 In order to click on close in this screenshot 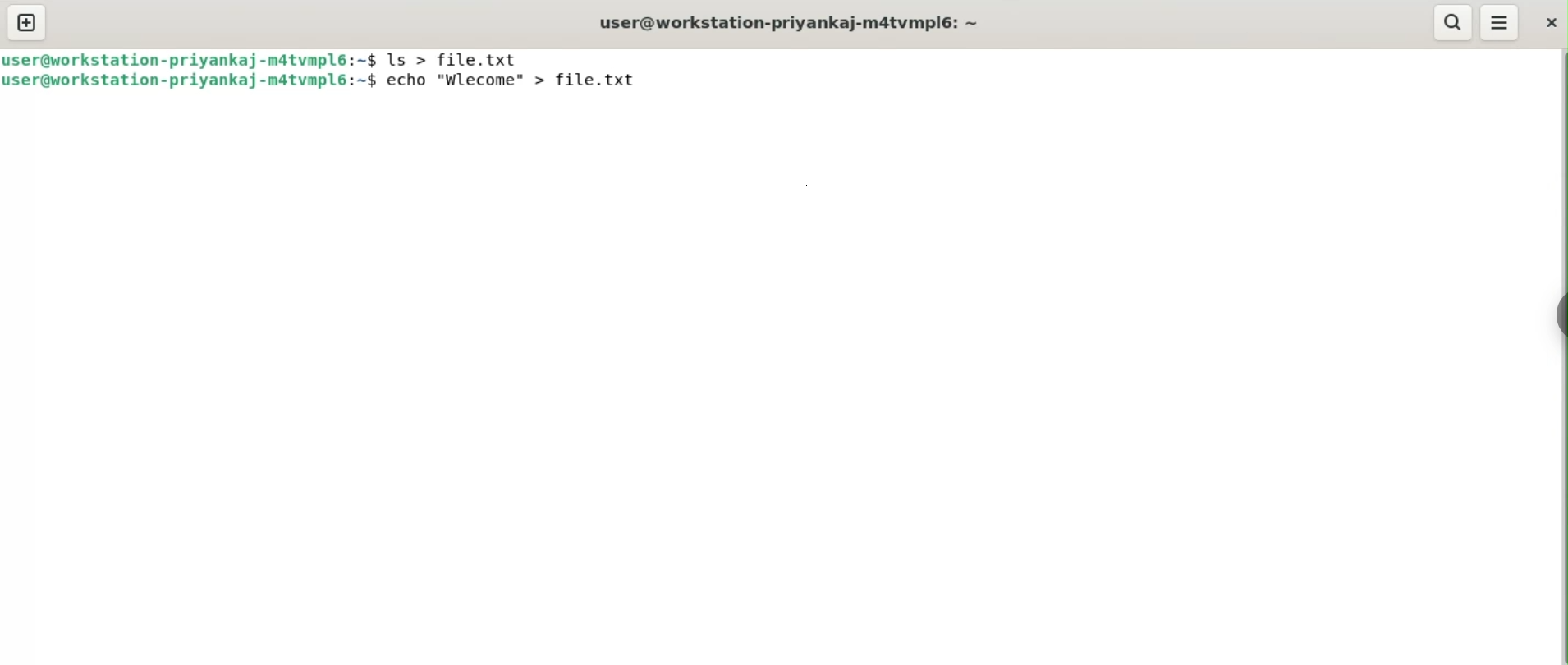, I will do `click(1551, 21)`.